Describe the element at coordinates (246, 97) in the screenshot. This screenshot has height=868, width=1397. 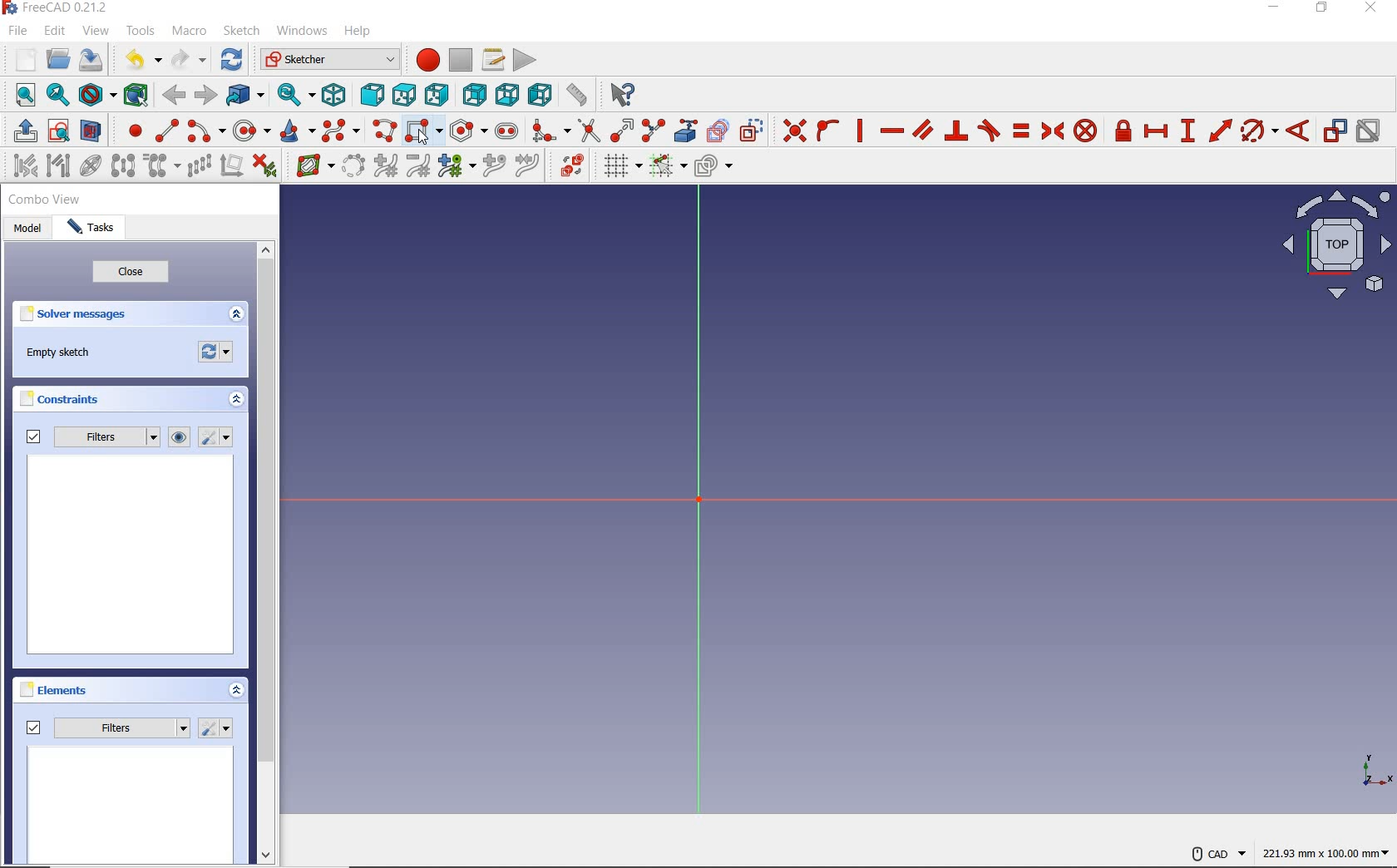
I see `got to linked object` at that location.